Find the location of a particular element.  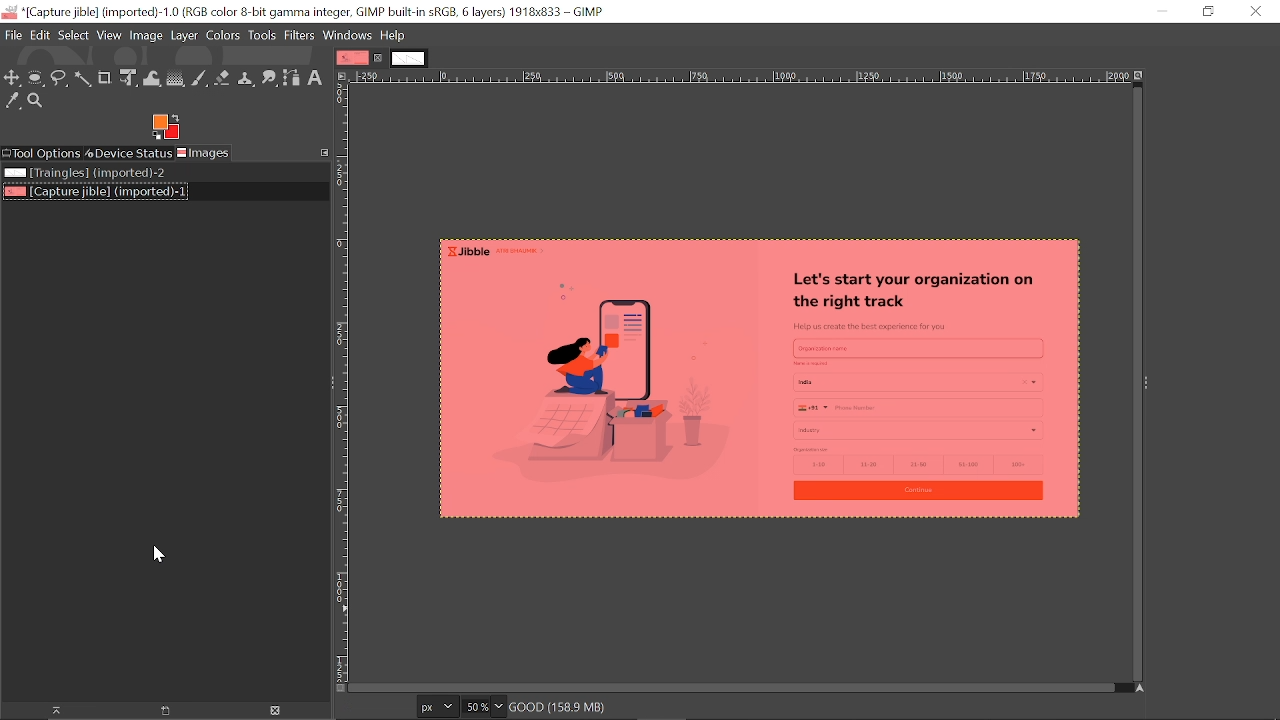

Configure this tab is located at coordinates (323, 151).